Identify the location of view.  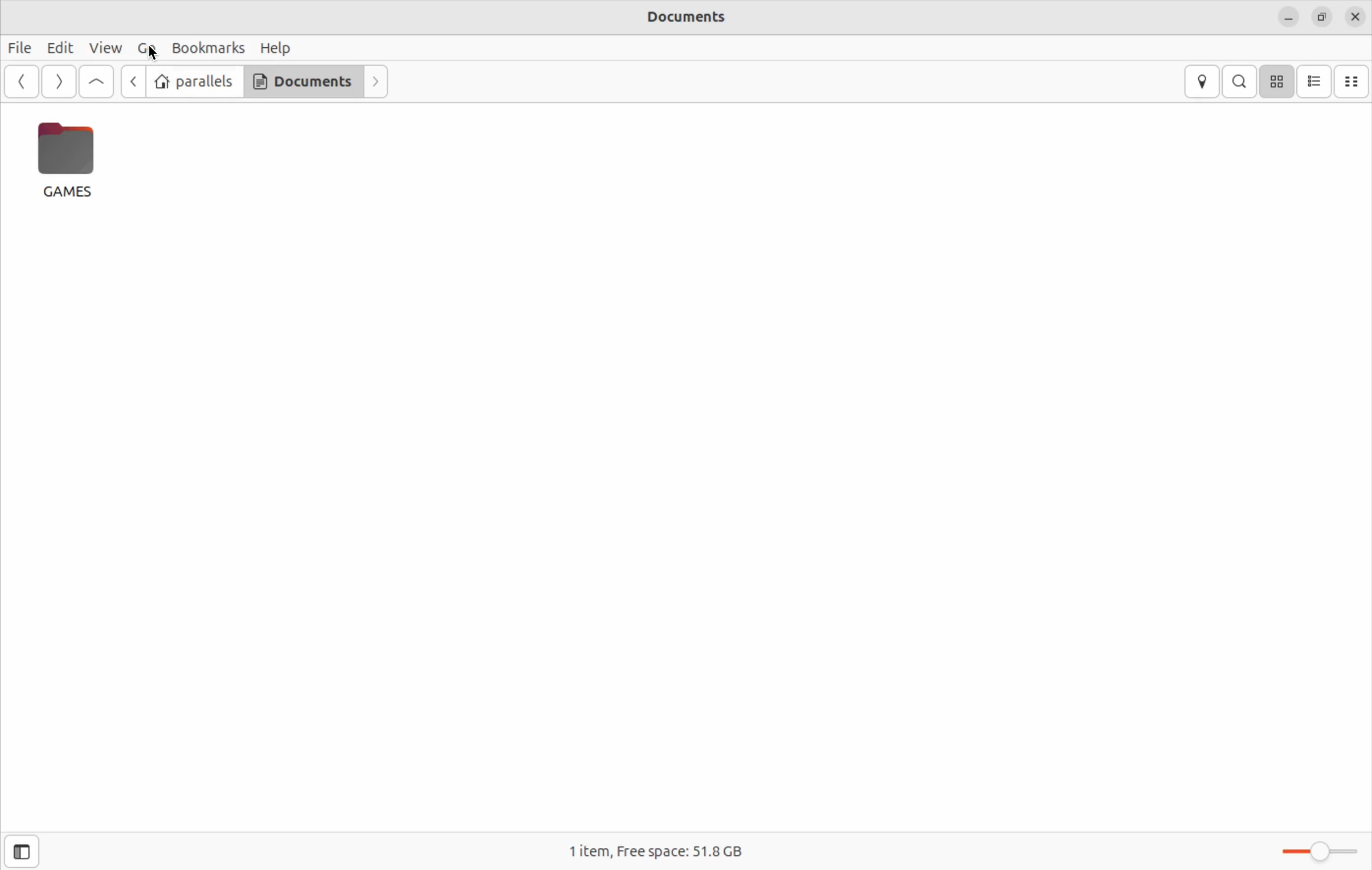
(105, 47).